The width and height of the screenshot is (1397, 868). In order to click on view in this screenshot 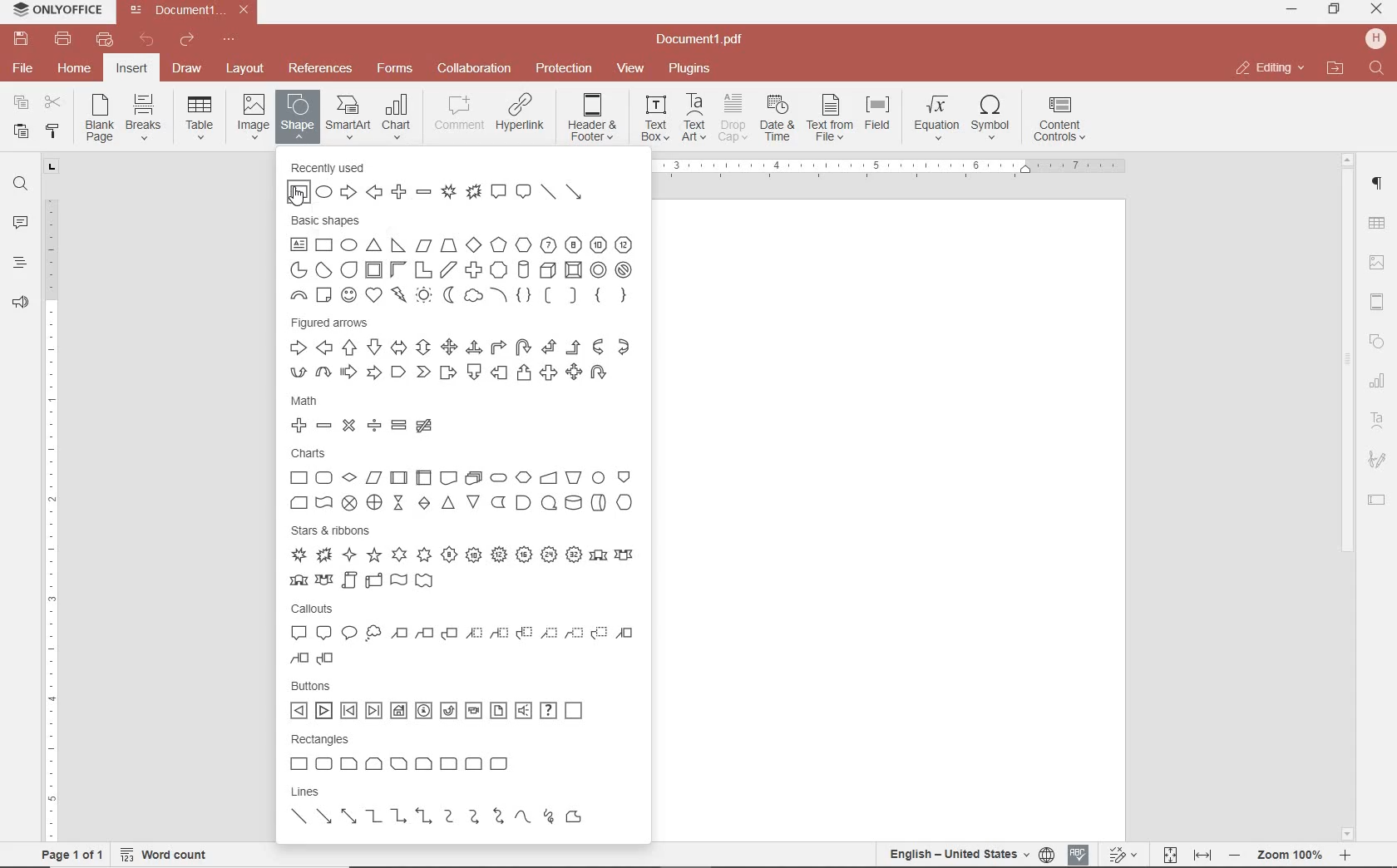, I will do `click(630, 69)`.